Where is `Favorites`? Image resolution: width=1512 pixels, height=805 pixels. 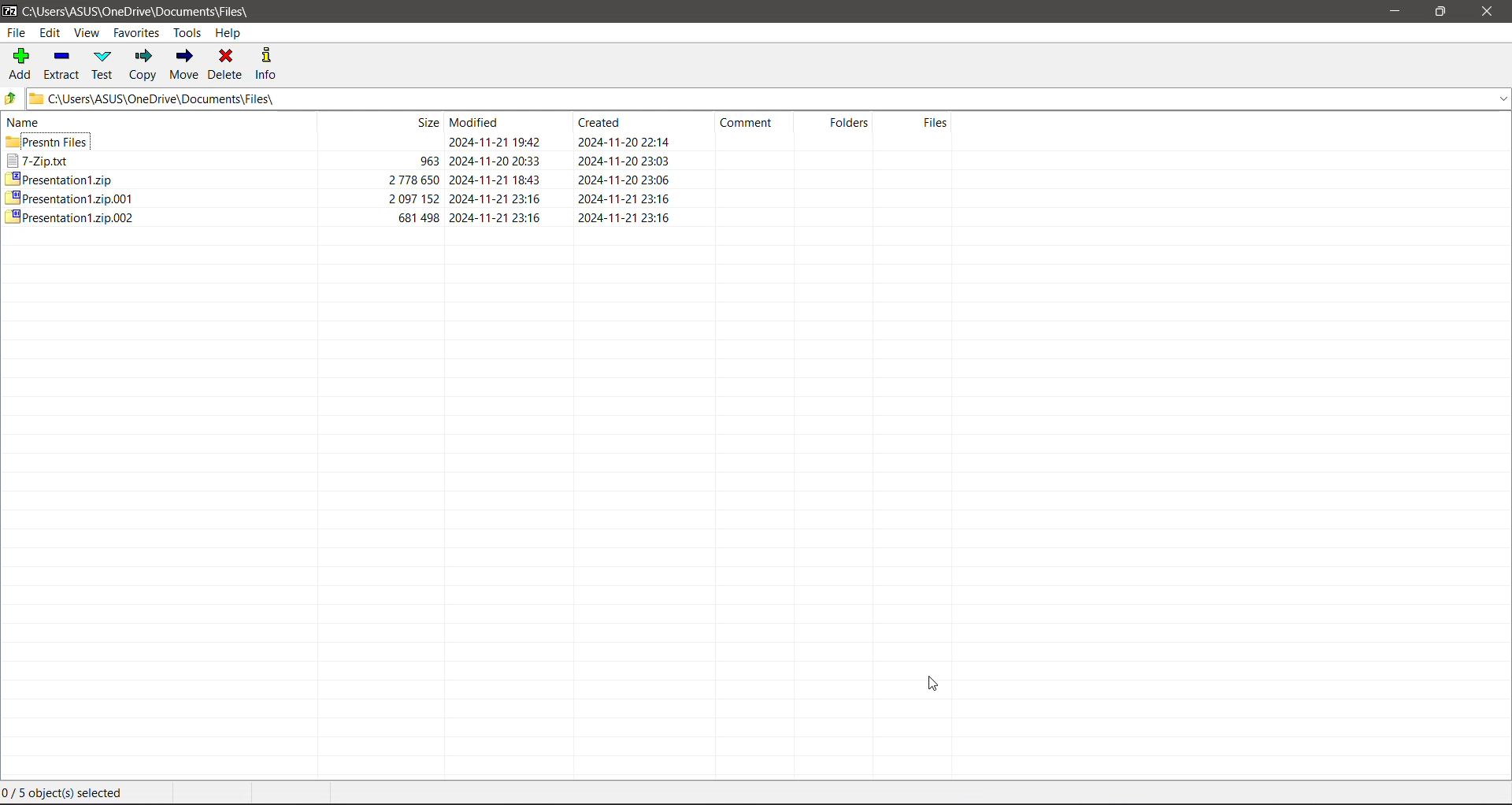 Favorites is located at coordinates (136, 33).